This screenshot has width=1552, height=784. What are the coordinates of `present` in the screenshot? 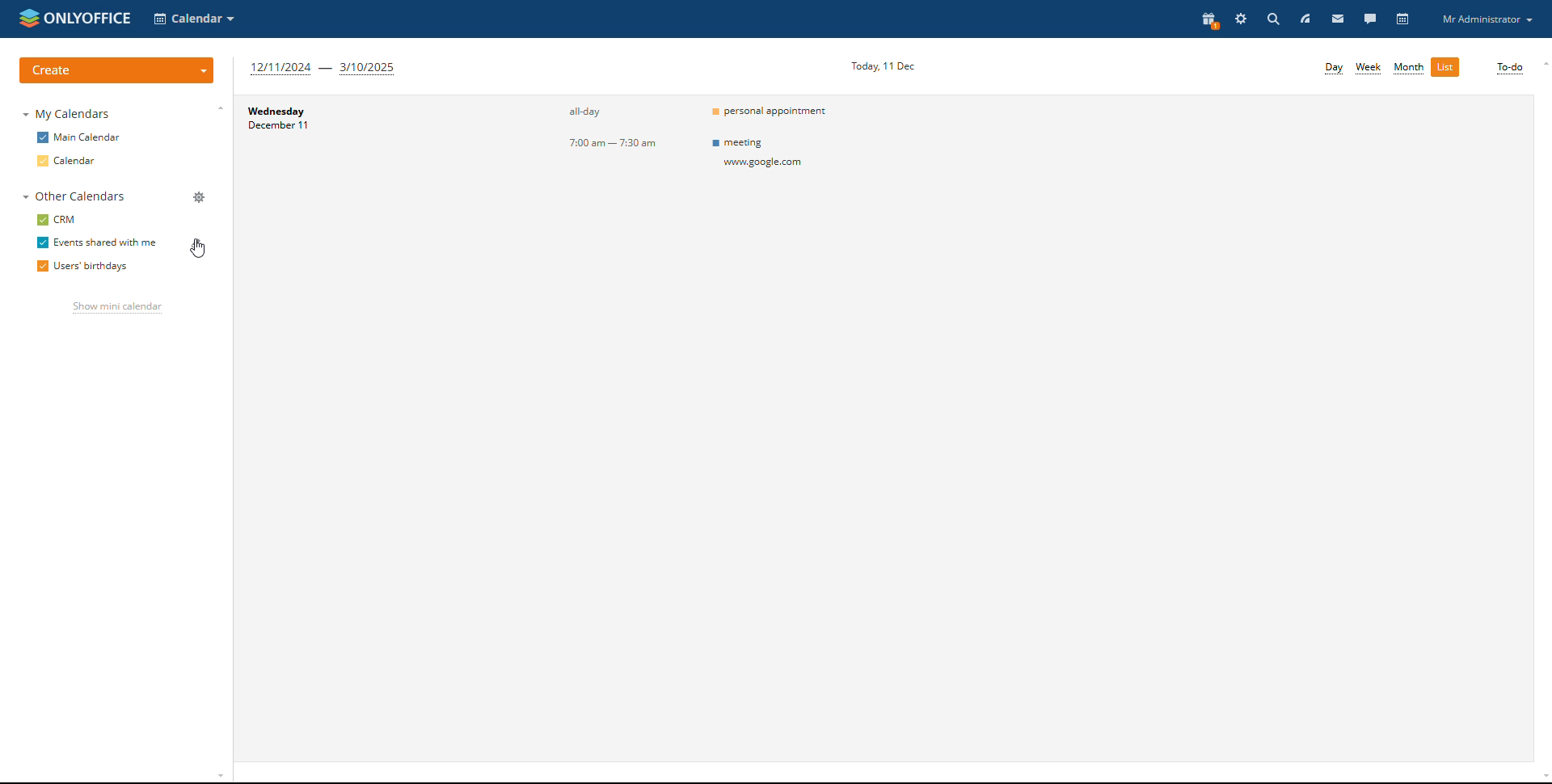 It's located at (1207, 18).